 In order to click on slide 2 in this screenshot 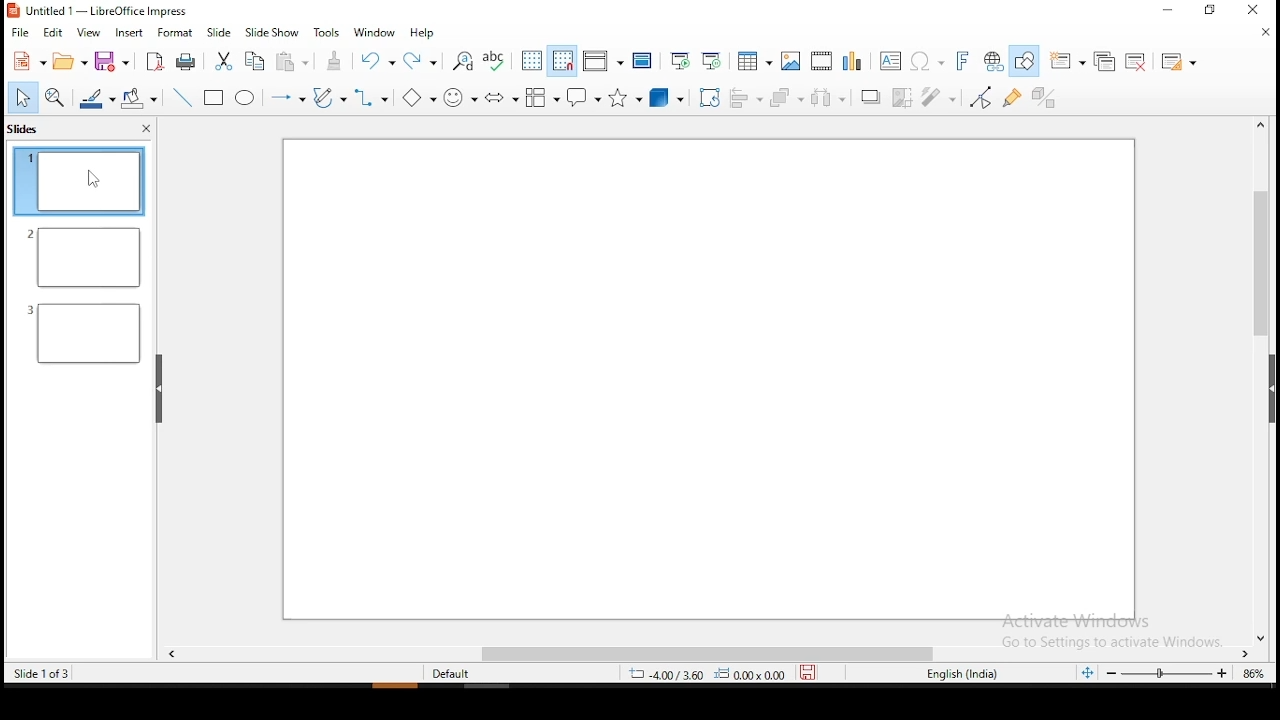, I will do `click(81, 257)`.